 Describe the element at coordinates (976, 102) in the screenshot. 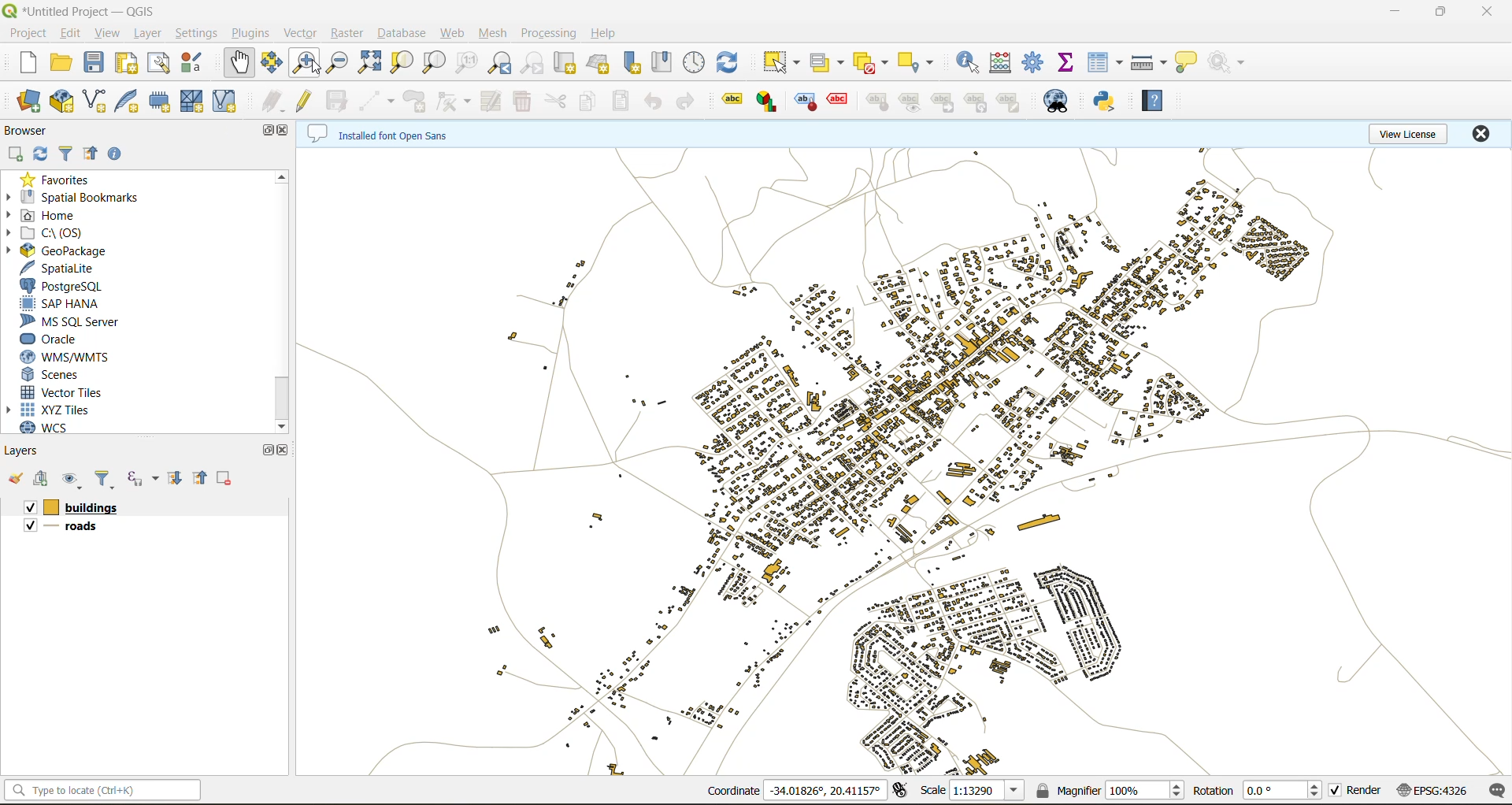

I see `Rotate Label` at that location.